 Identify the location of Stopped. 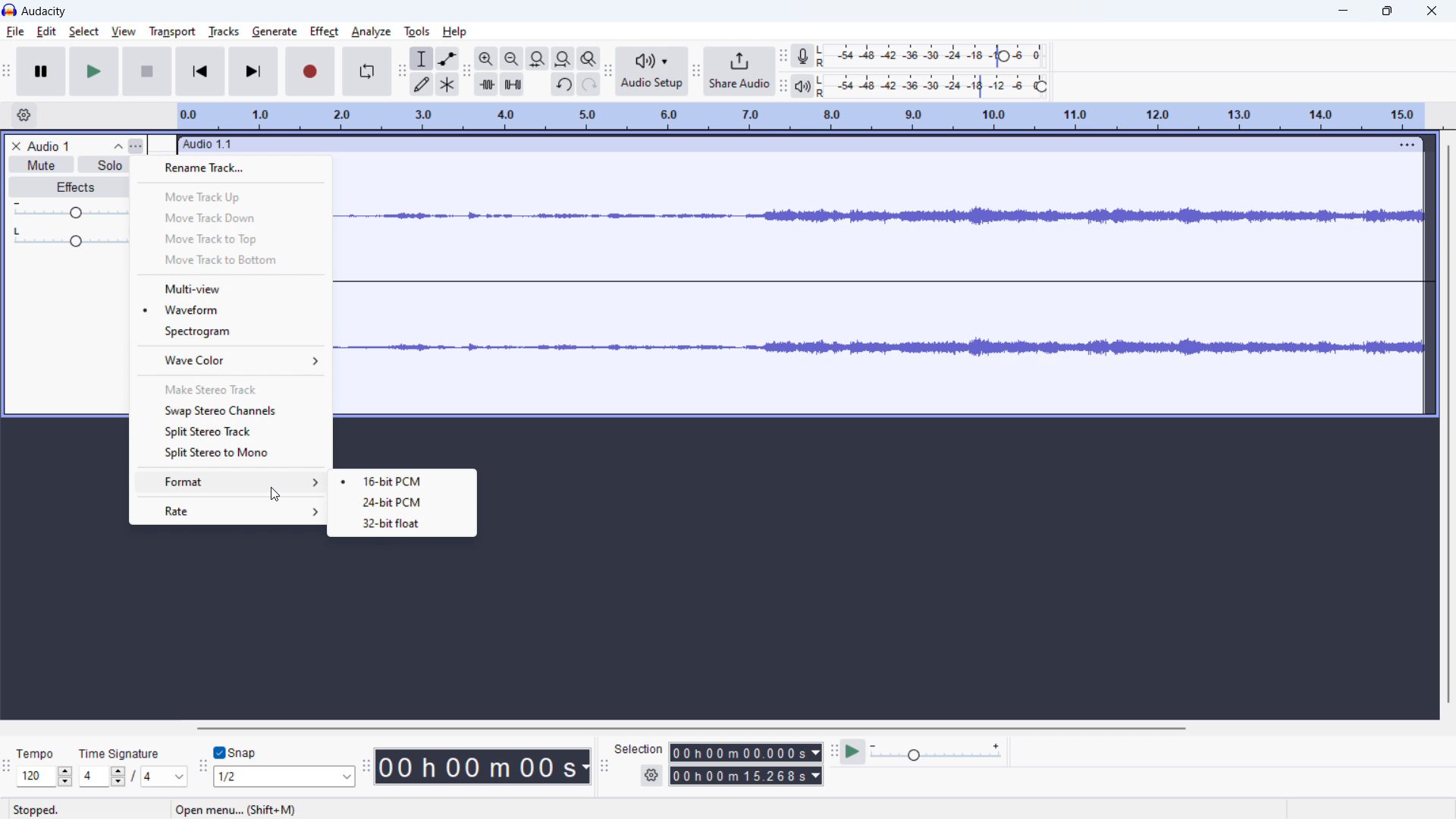
(49, 810).